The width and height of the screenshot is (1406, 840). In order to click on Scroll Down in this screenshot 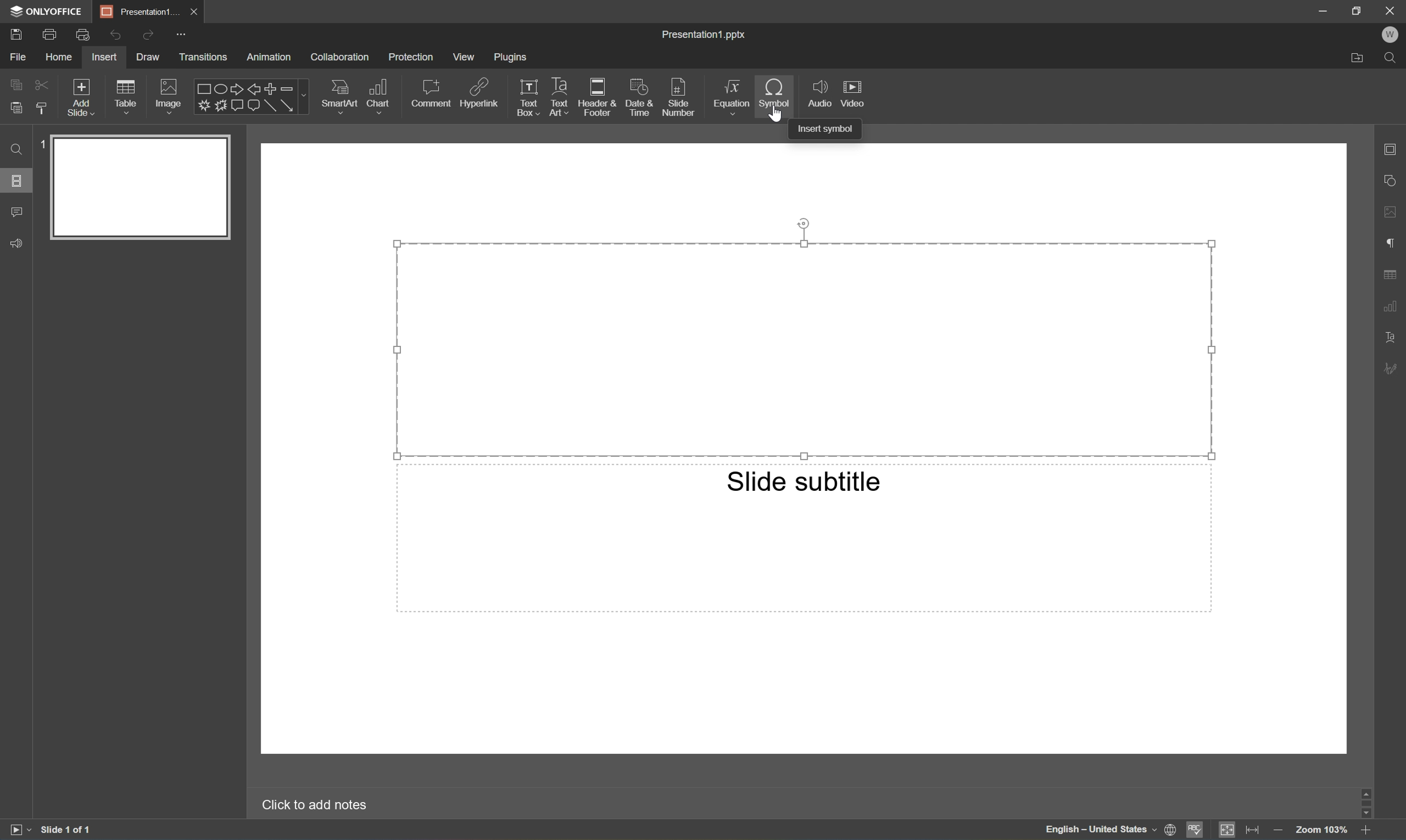, I will do `click(1363, 816)`.